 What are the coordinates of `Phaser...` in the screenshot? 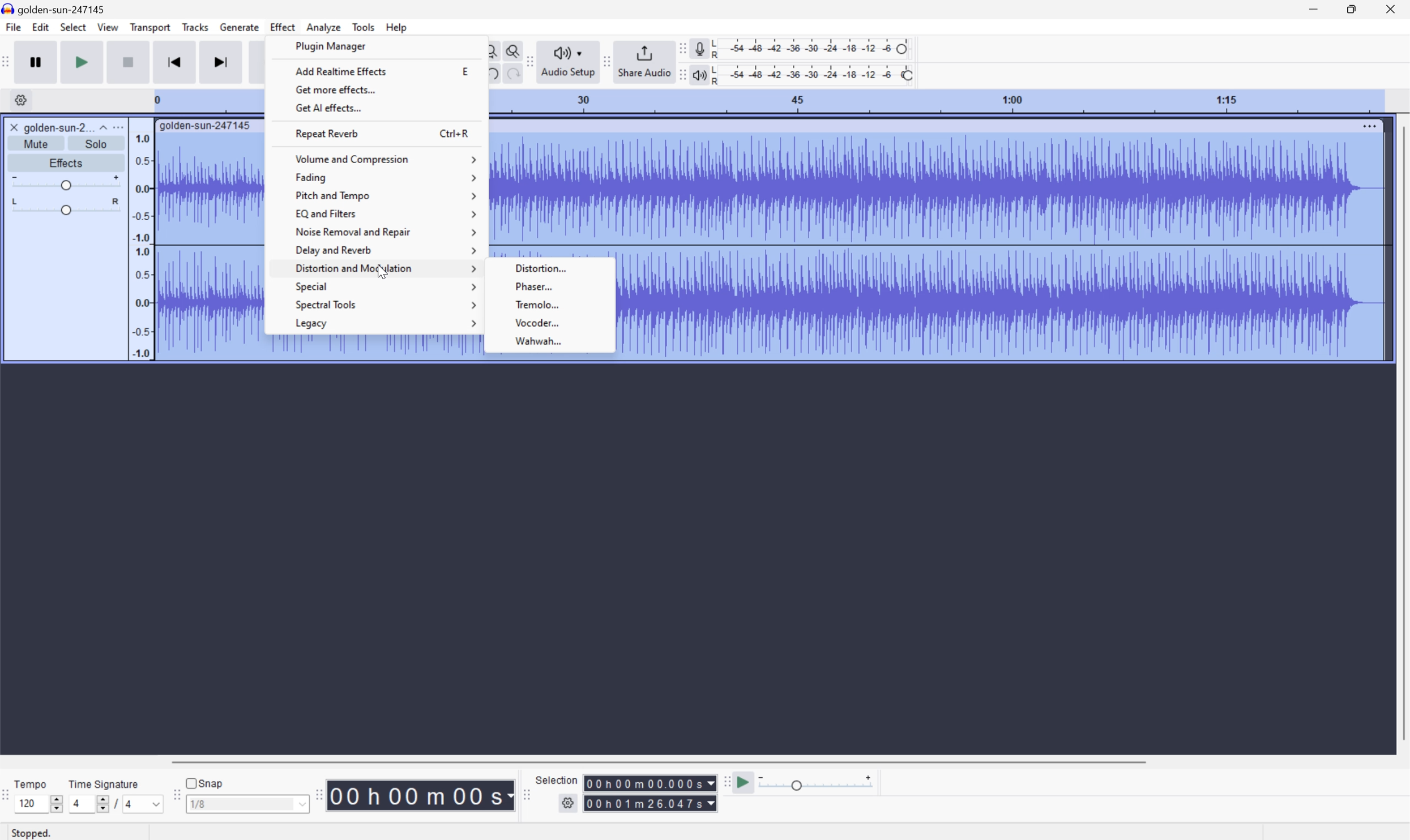 It's located at (551, 285).